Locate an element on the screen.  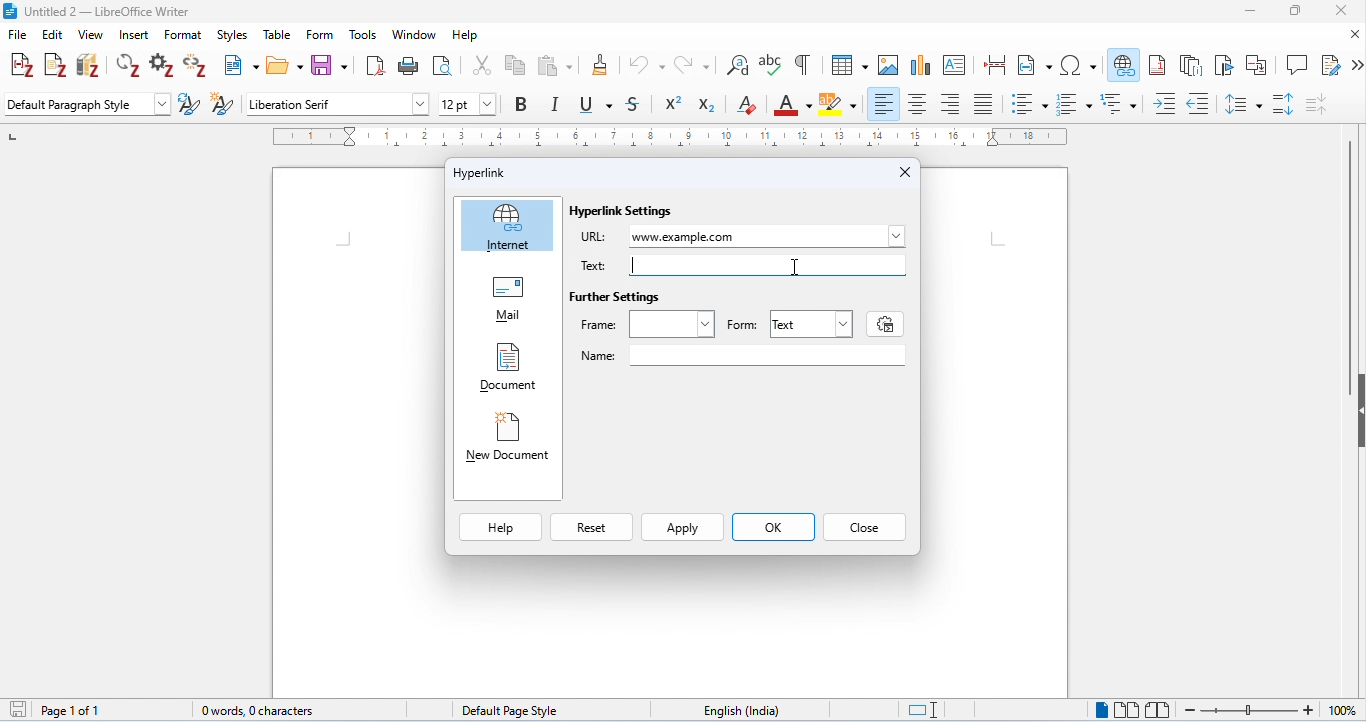
Close is located at coordinates (871, 526).